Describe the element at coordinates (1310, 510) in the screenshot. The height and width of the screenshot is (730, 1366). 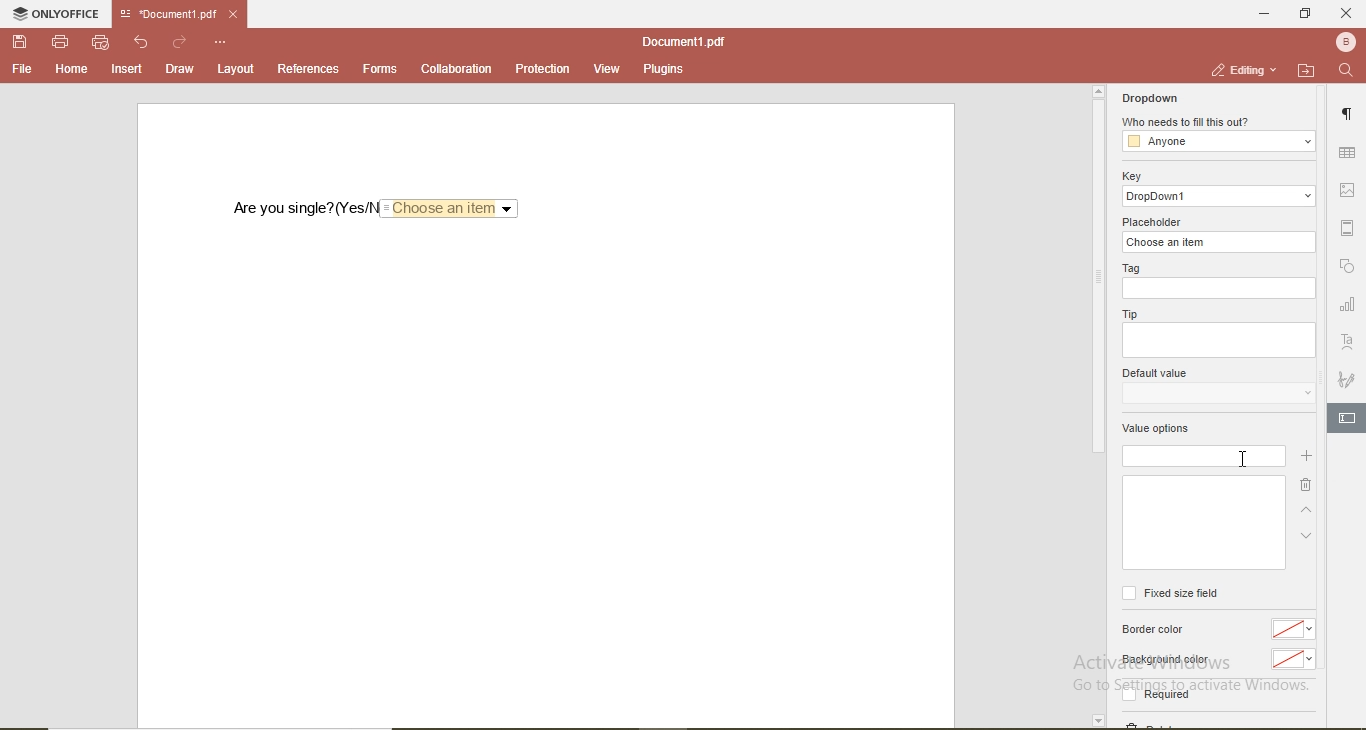
I see `up` at that location.